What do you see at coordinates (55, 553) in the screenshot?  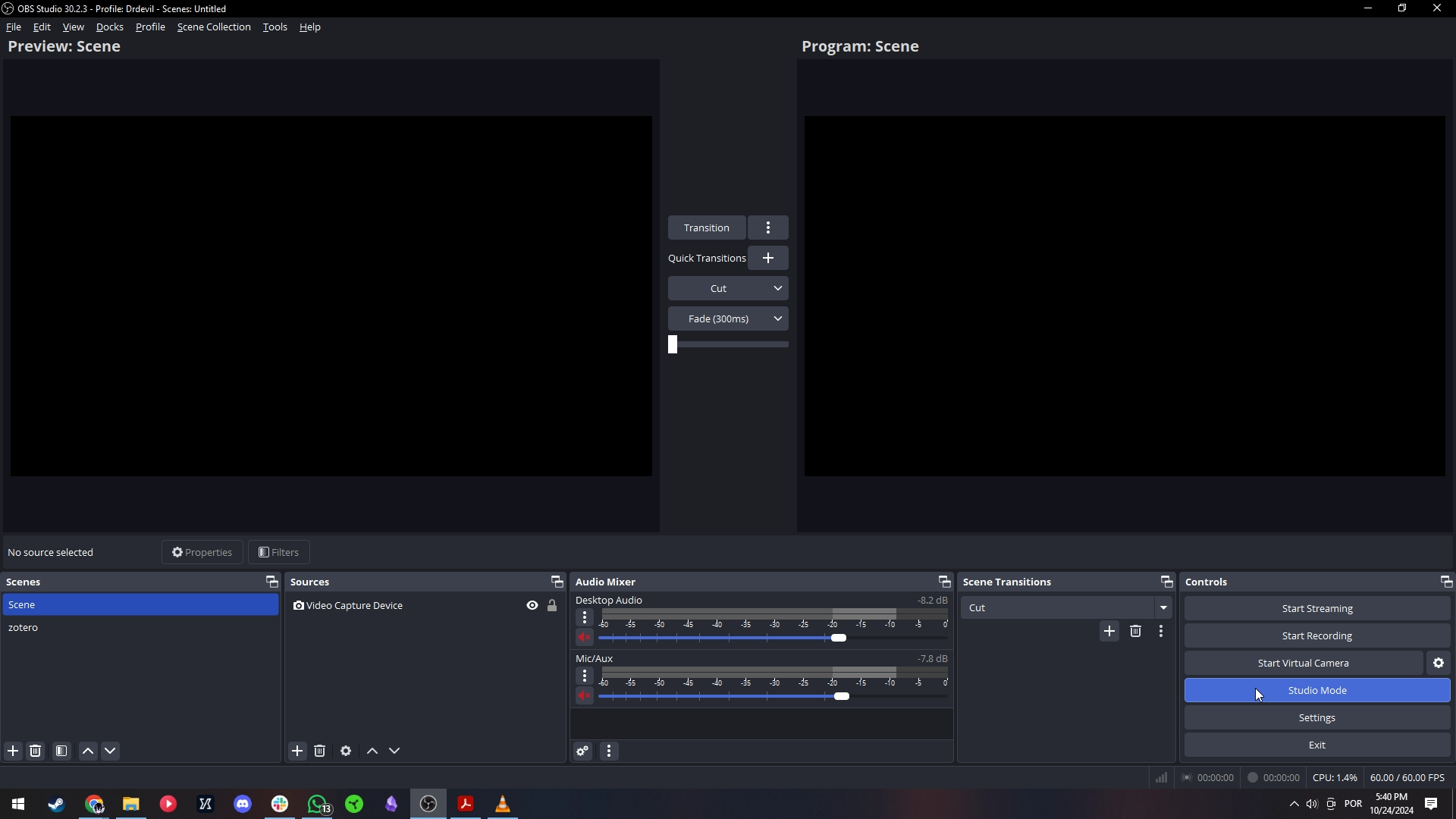 I see `Selected source` at bounding box center [55, 553].